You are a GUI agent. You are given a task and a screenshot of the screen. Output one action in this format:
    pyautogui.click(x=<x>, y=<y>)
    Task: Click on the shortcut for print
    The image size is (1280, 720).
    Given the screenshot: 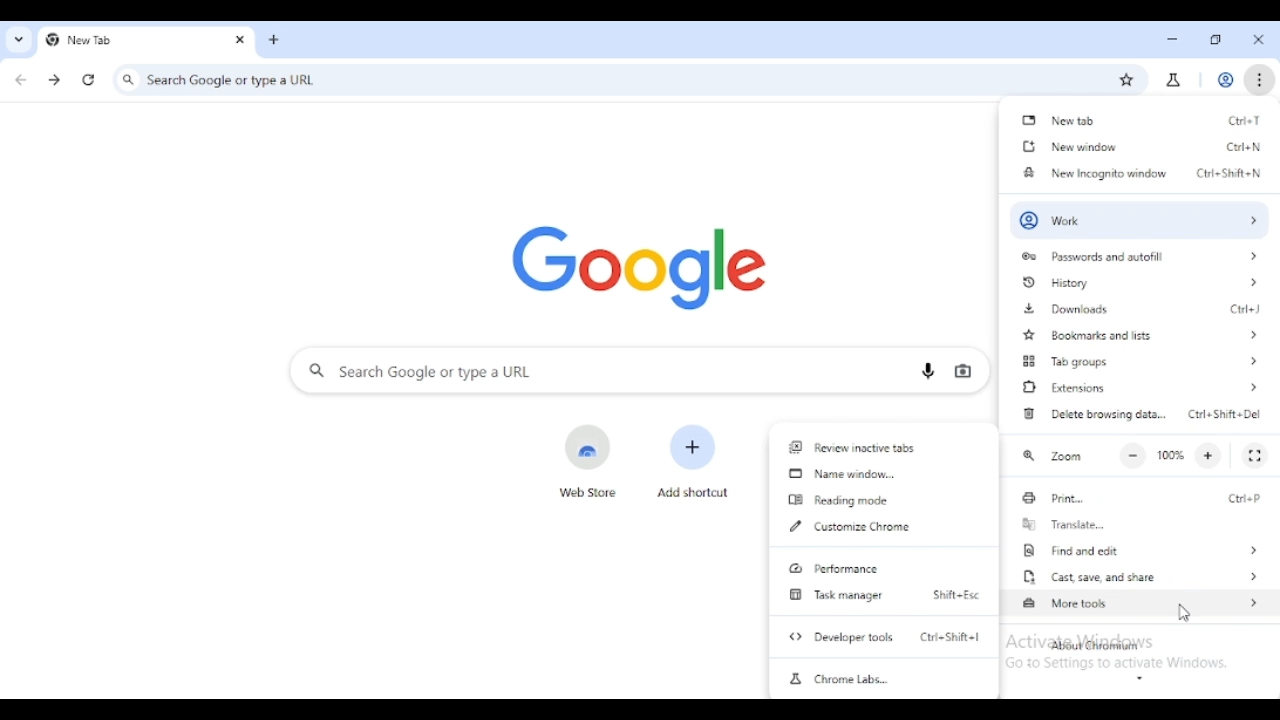 What is the action you would take?
    pyautogui.click(x=1244, y=498)
    